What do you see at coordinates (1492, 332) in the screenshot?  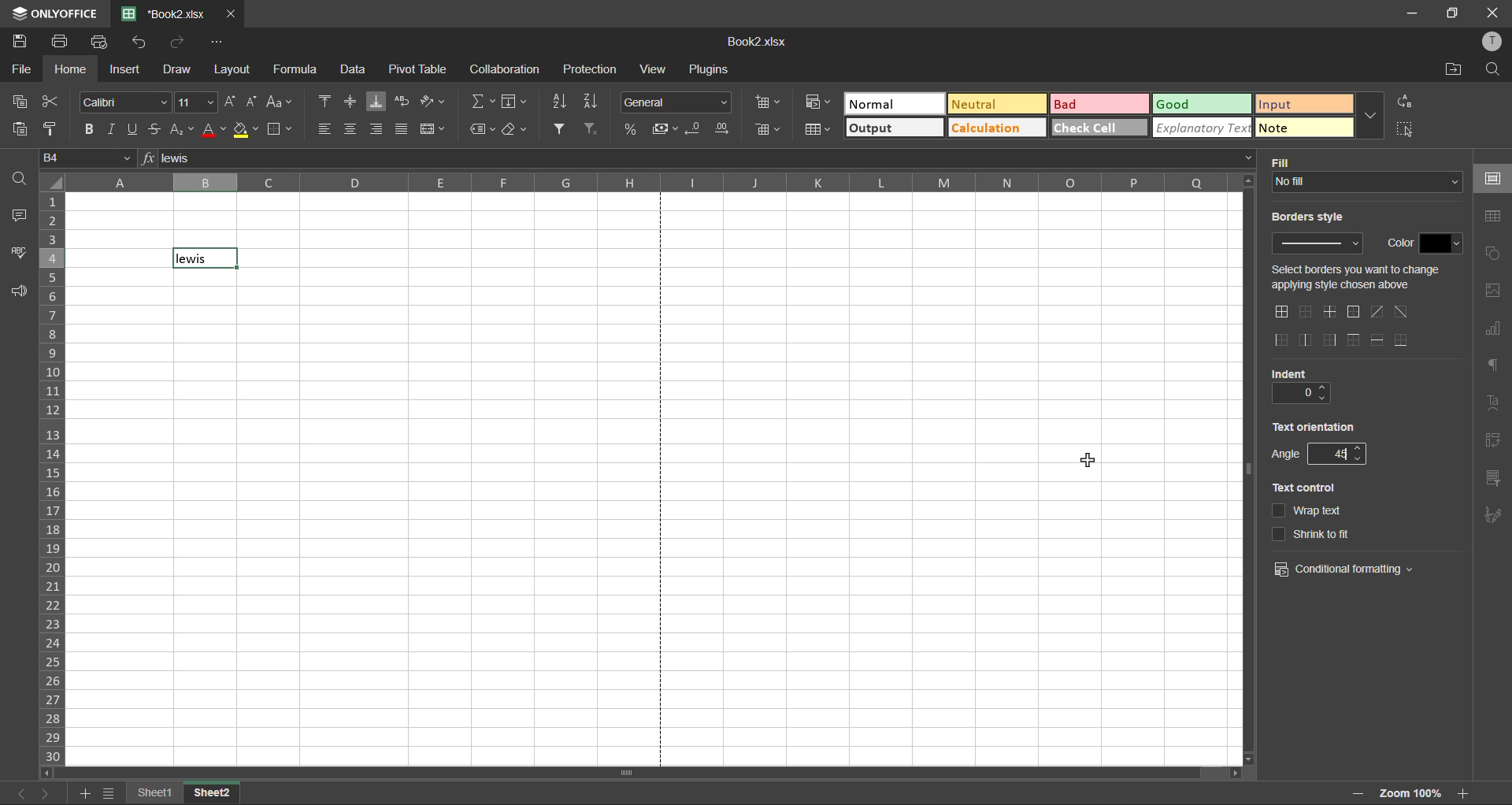 I see `charts` at bounding box center [1492, 332].